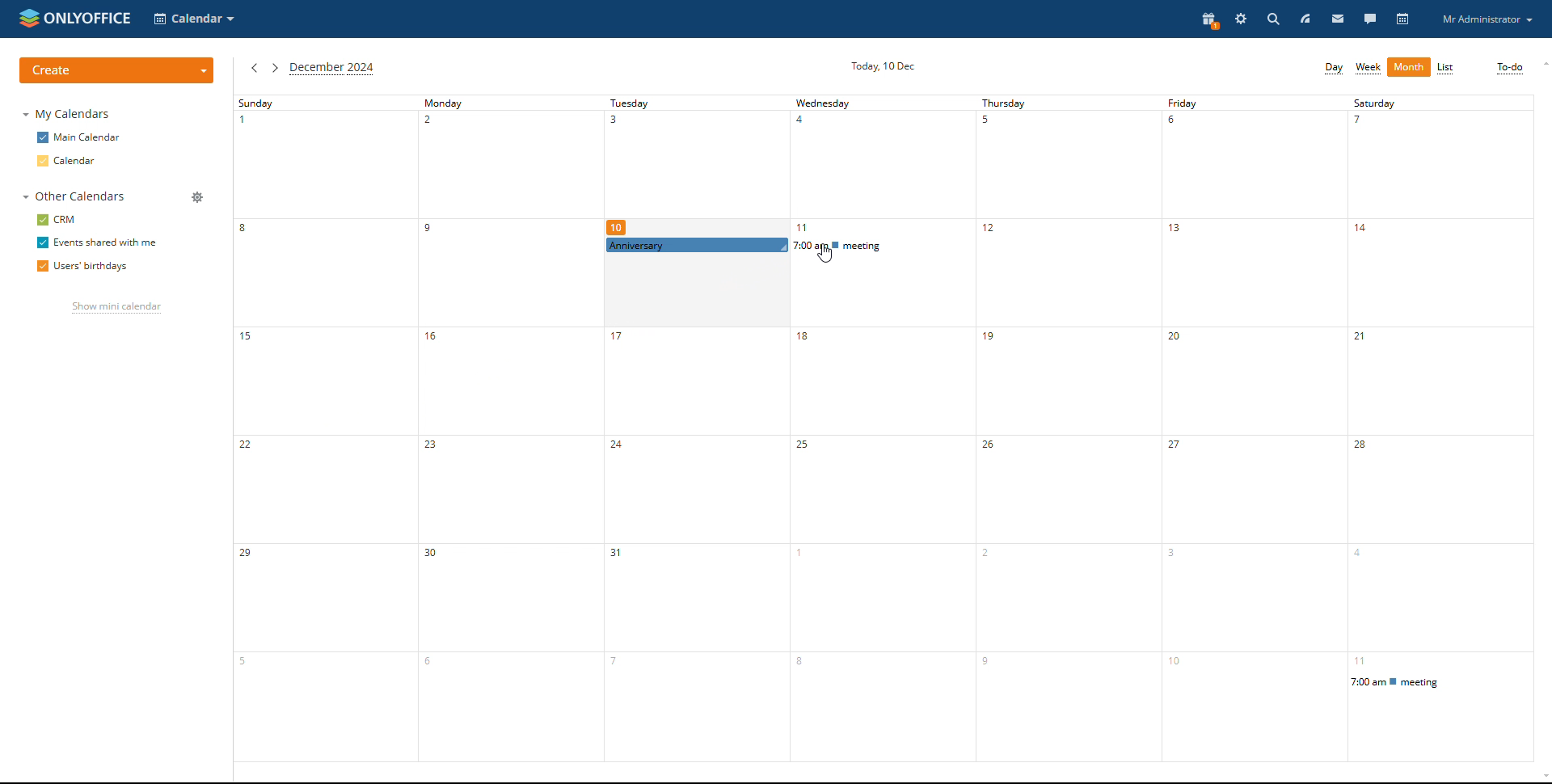 This screenshot has height=784, width=1552. Describe the element at coordinates (1338, 19) in the screenshot. I see `mail` at that location.